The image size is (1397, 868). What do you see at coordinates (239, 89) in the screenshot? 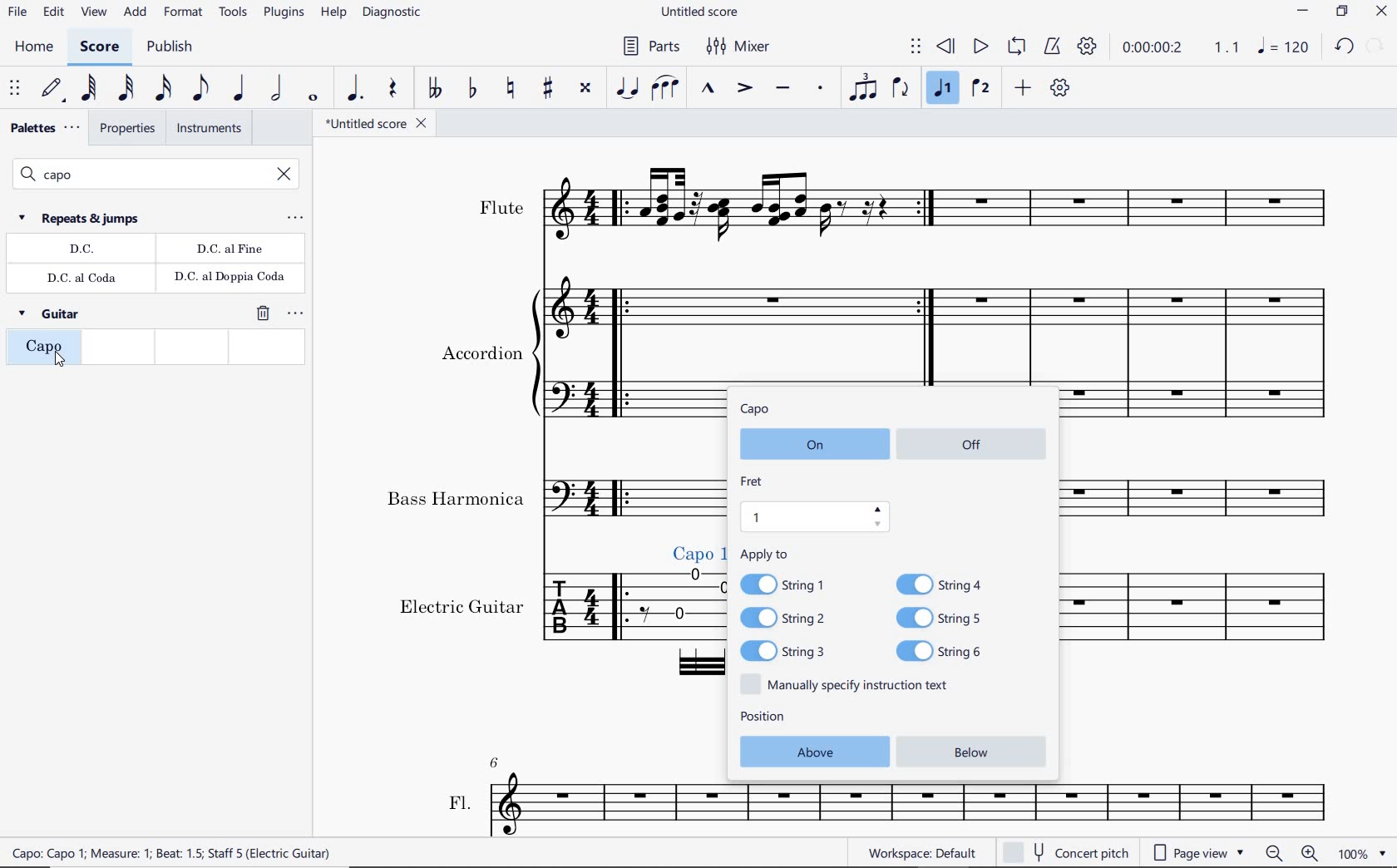
I see `quarter note` at bounding box center [239, 89].